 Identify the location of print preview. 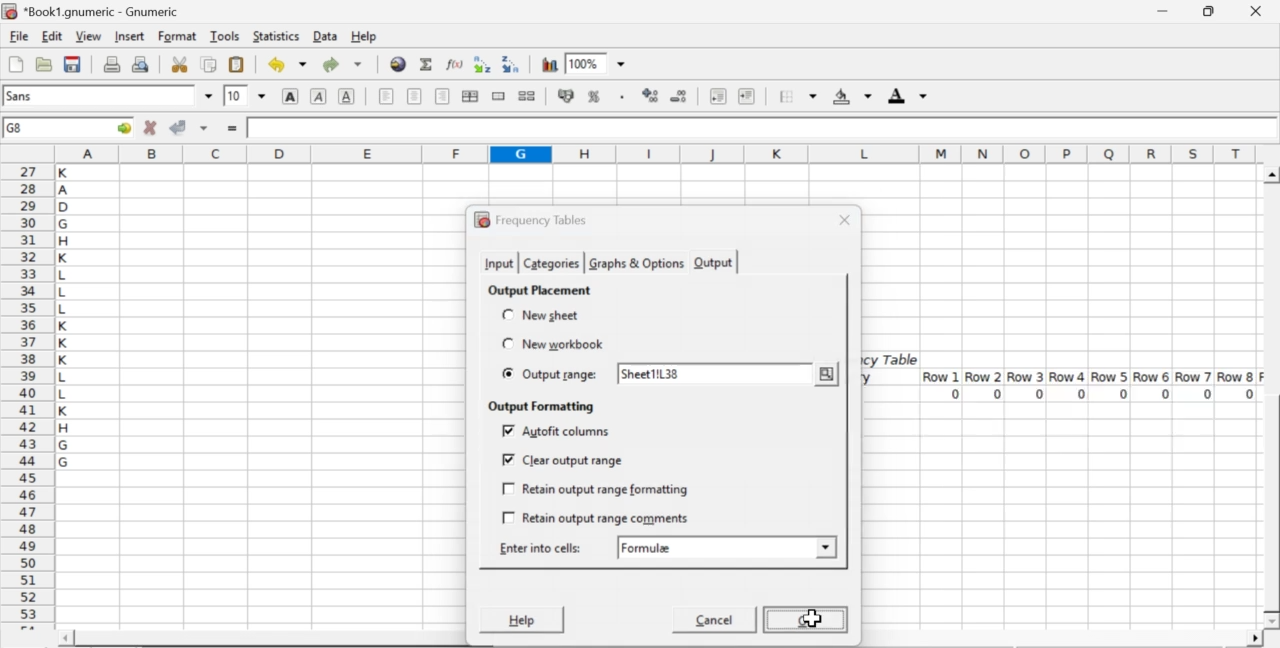
(141, 63).